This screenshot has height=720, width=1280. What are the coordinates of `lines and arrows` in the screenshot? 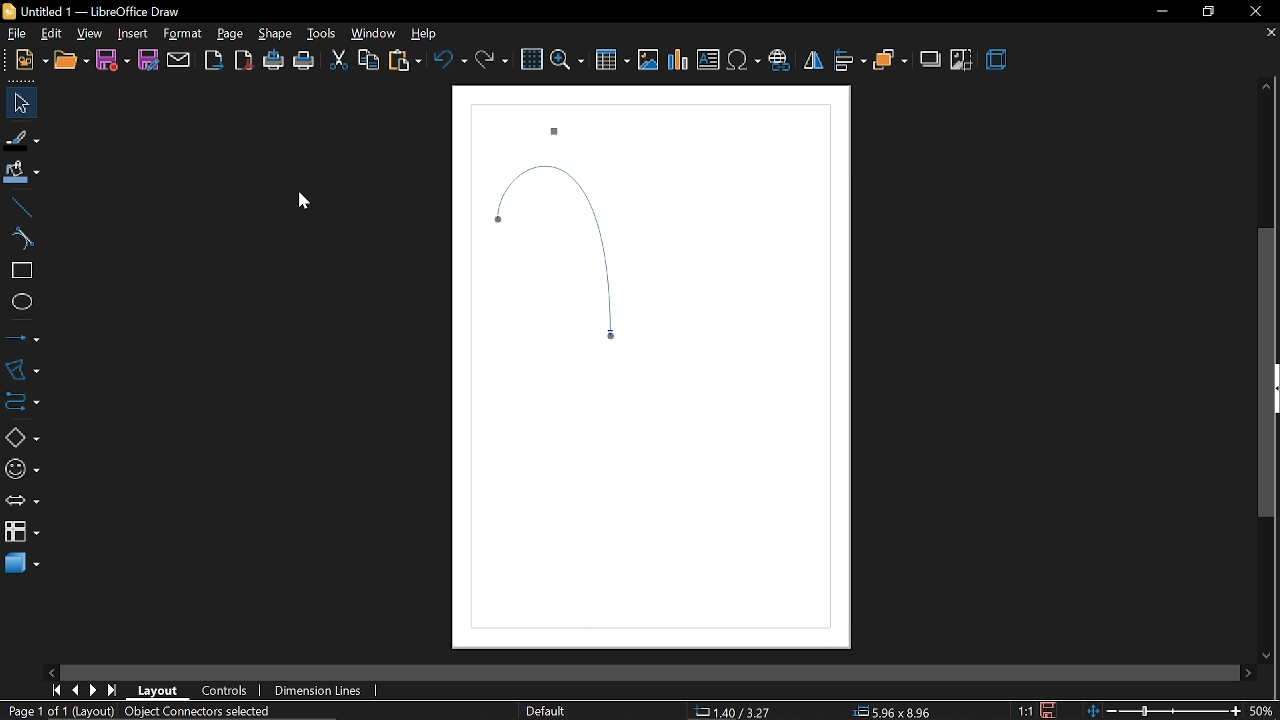 It's located at (22, 337).